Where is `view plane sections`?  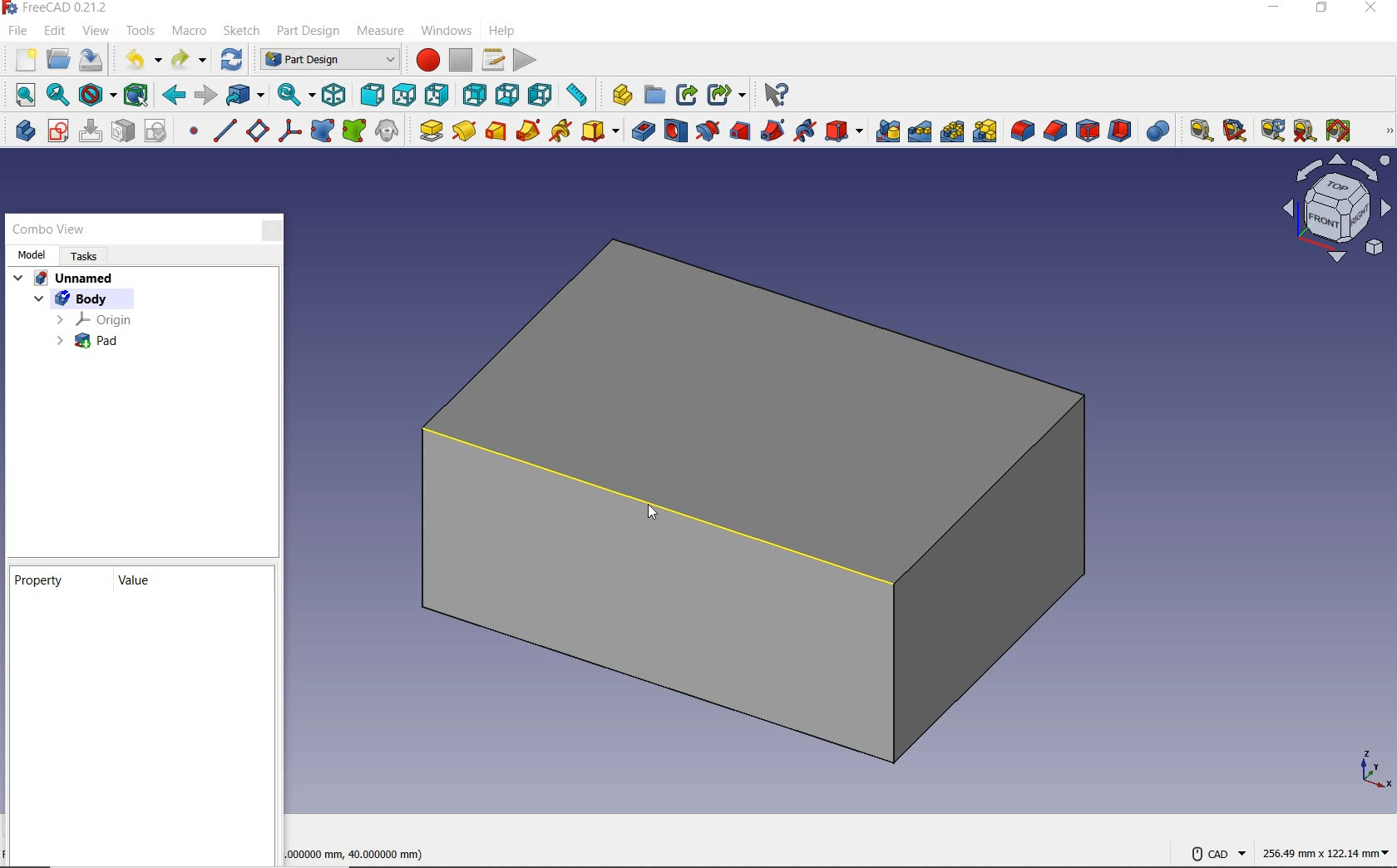 view plane sections is located at coordinates (1335, 211).